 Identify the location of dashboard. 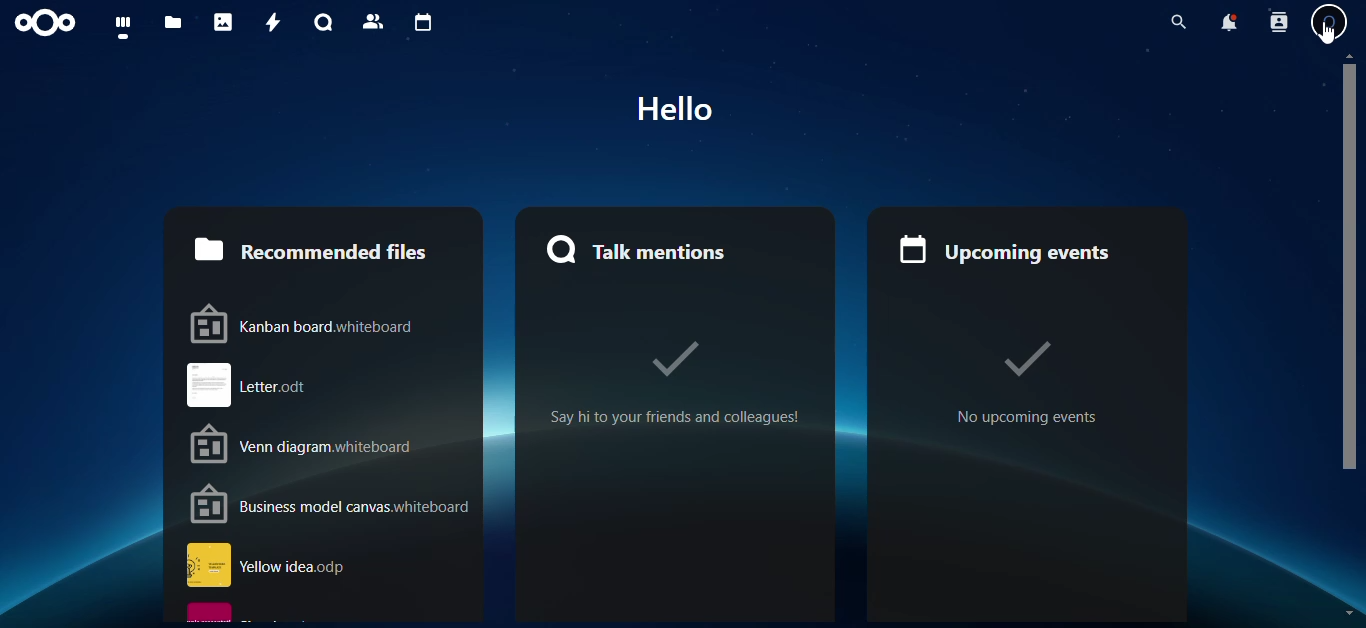
(117, 26).